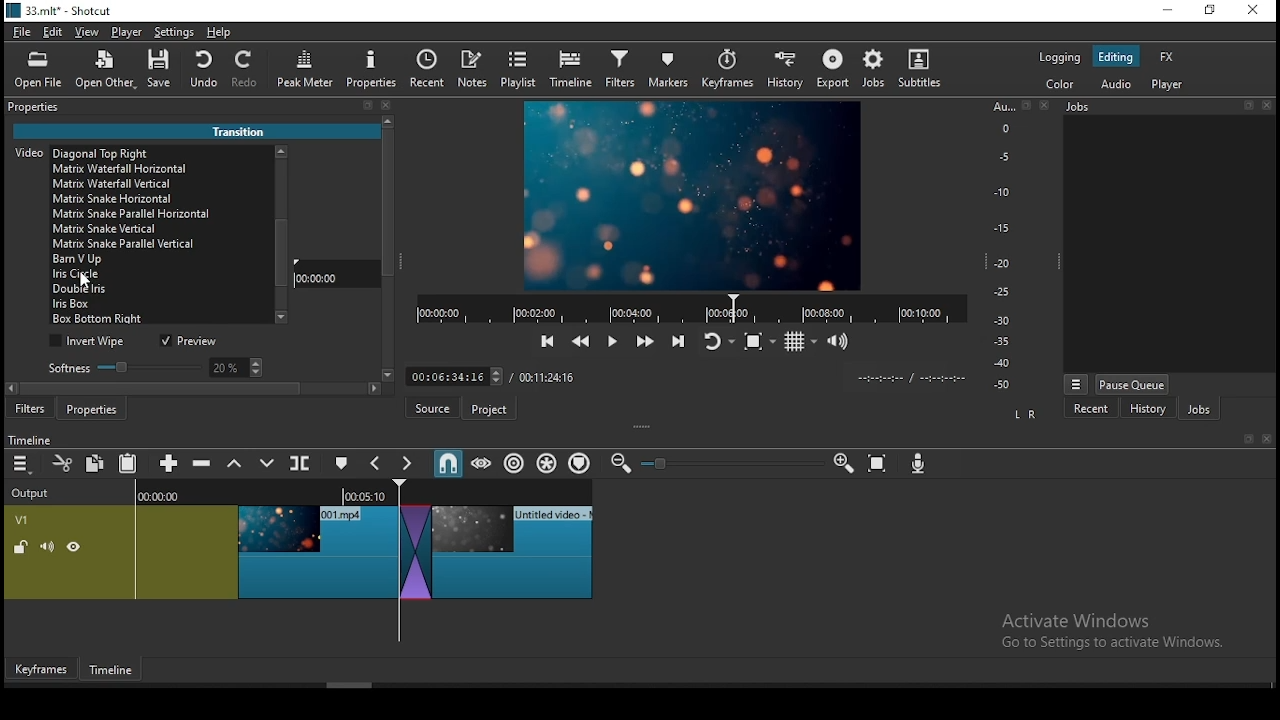 Image resolution: width=1280 pixels, height=720 pixels. What do you see at coordinates (571, 70) in the screenshot?
I see `timeline` at bounding box center [571, 70].